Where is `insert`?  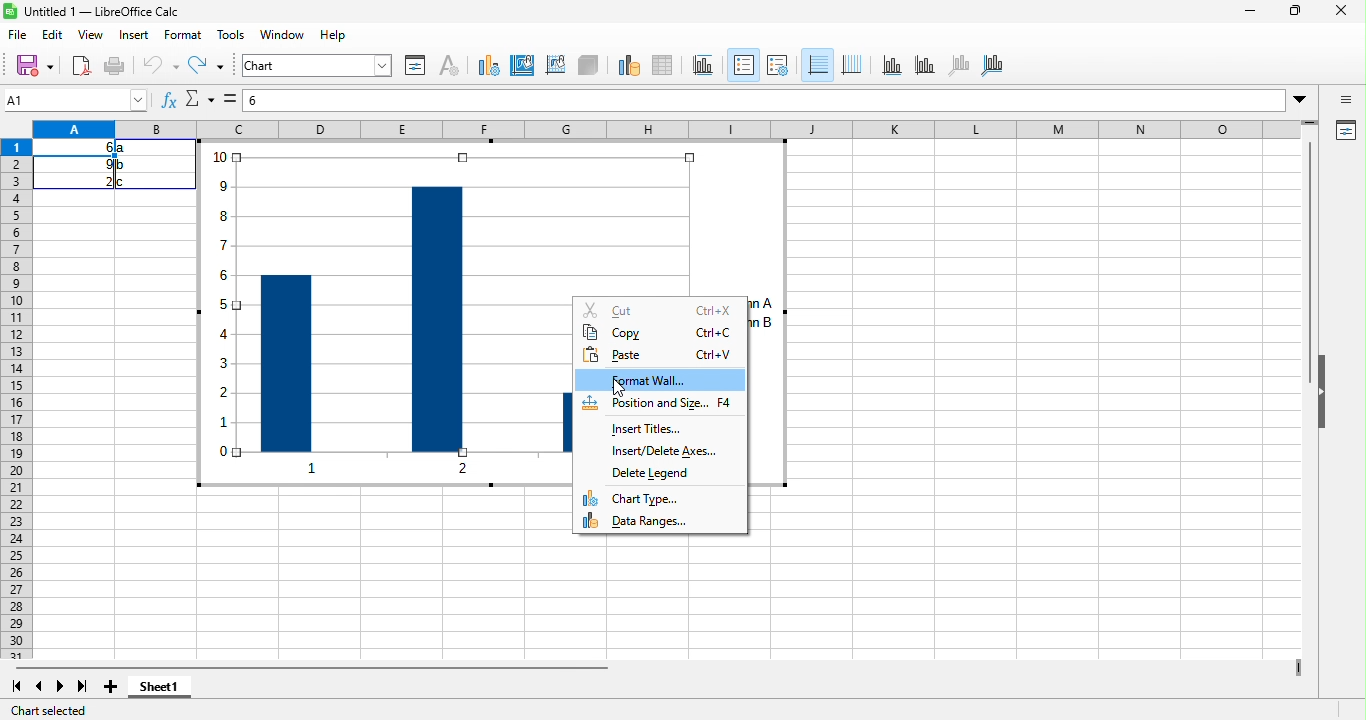
insert is located at coordinates (135, 35).